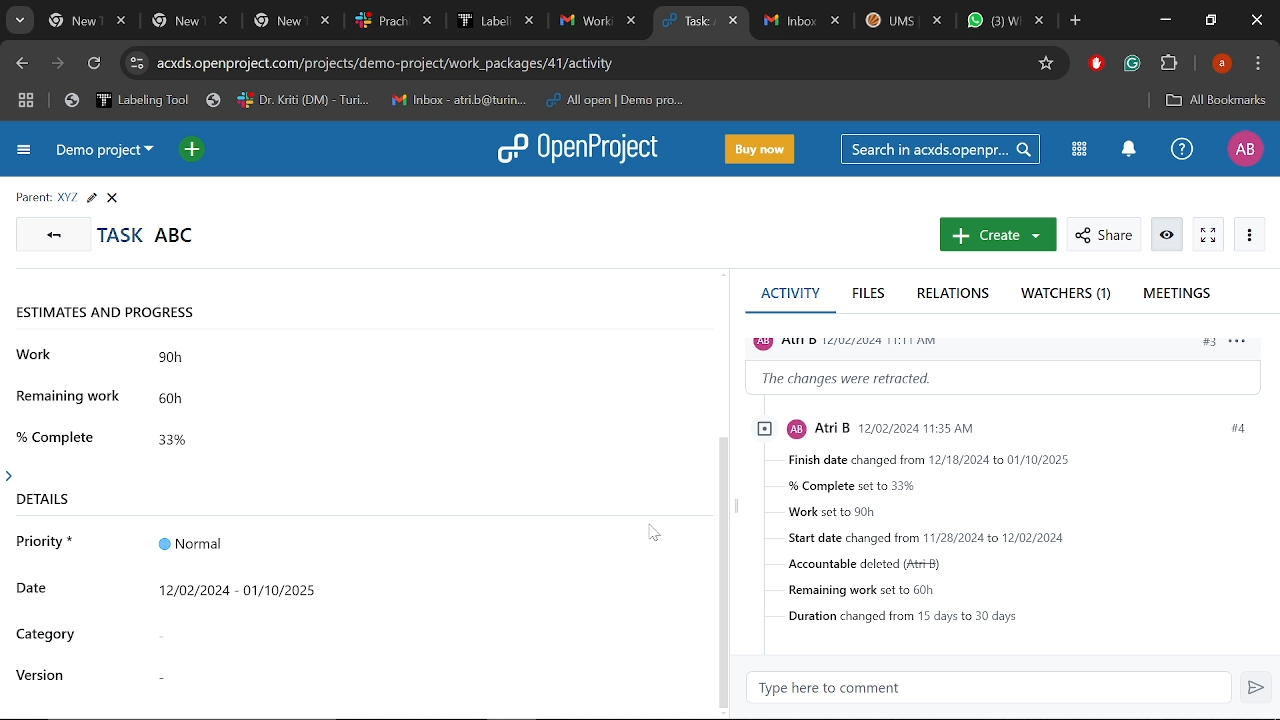 The width and height of the screenshot is (1280, 720). Describe the element at coordinates (398, 64) in the screenshot. I see `Cite address` at that location.